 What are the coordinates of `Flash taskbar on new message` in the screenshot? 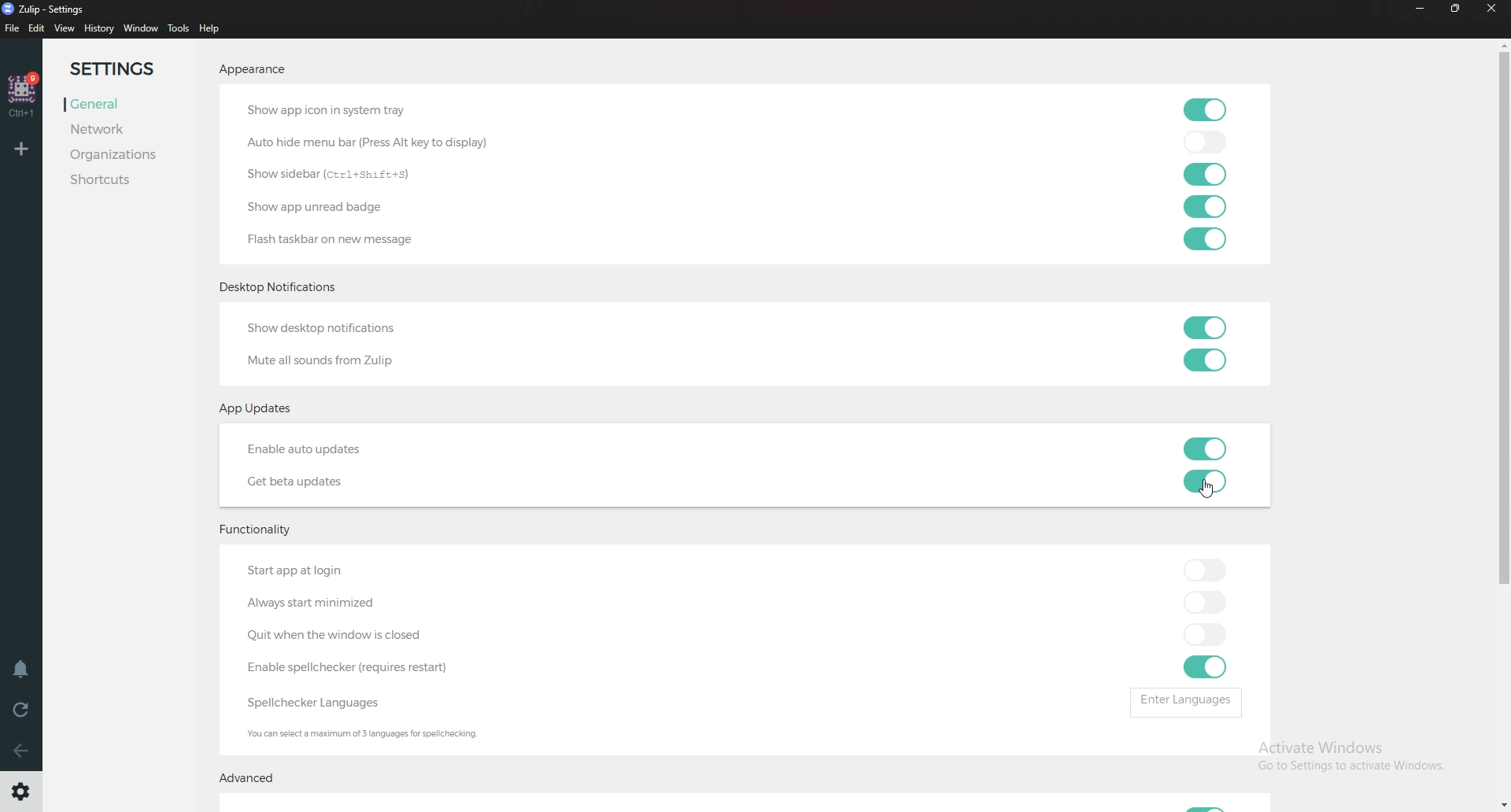 It's located at (373, 242).